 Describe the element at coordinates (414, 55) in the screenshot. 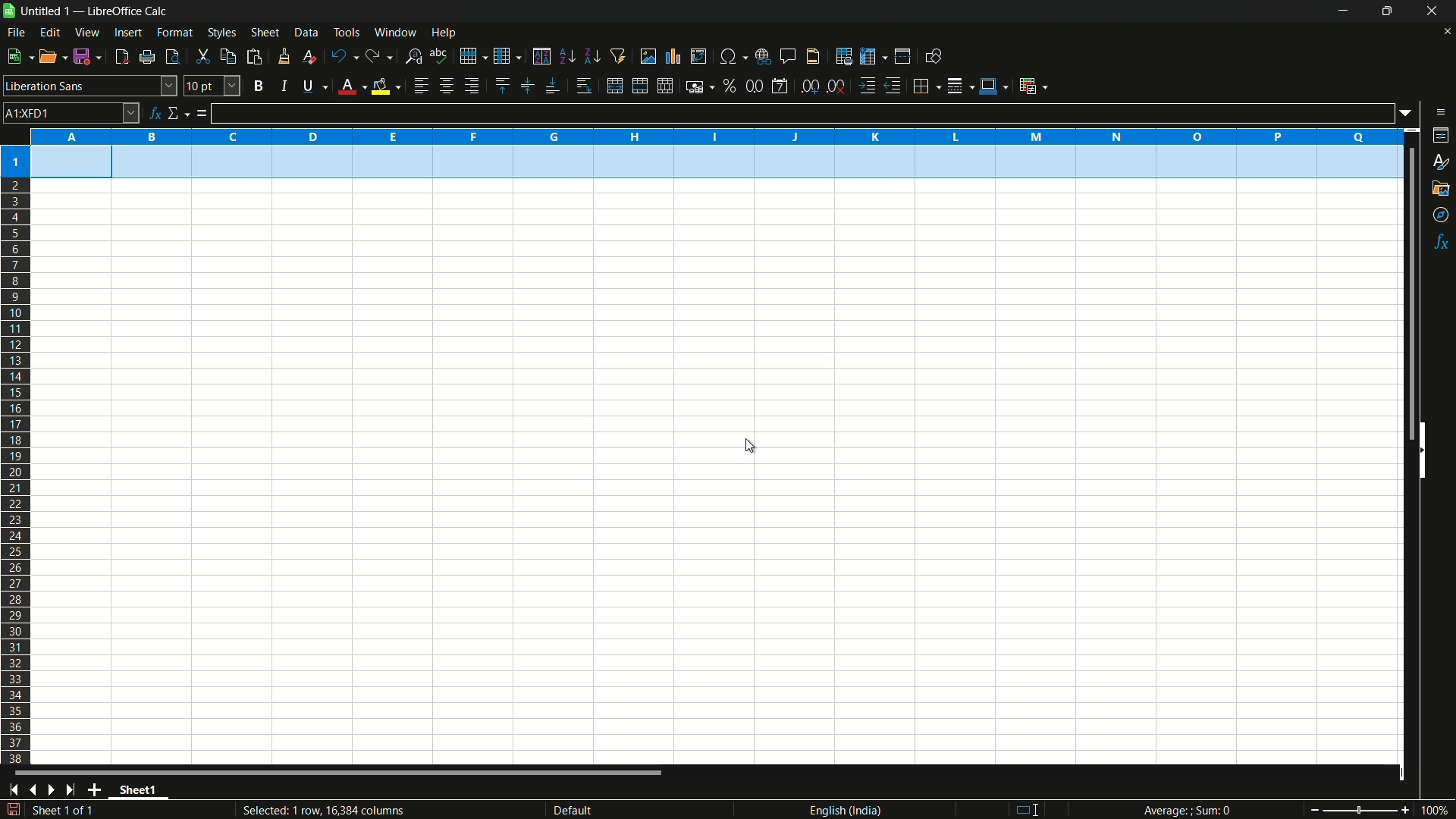

I see `find and replace` at that location.